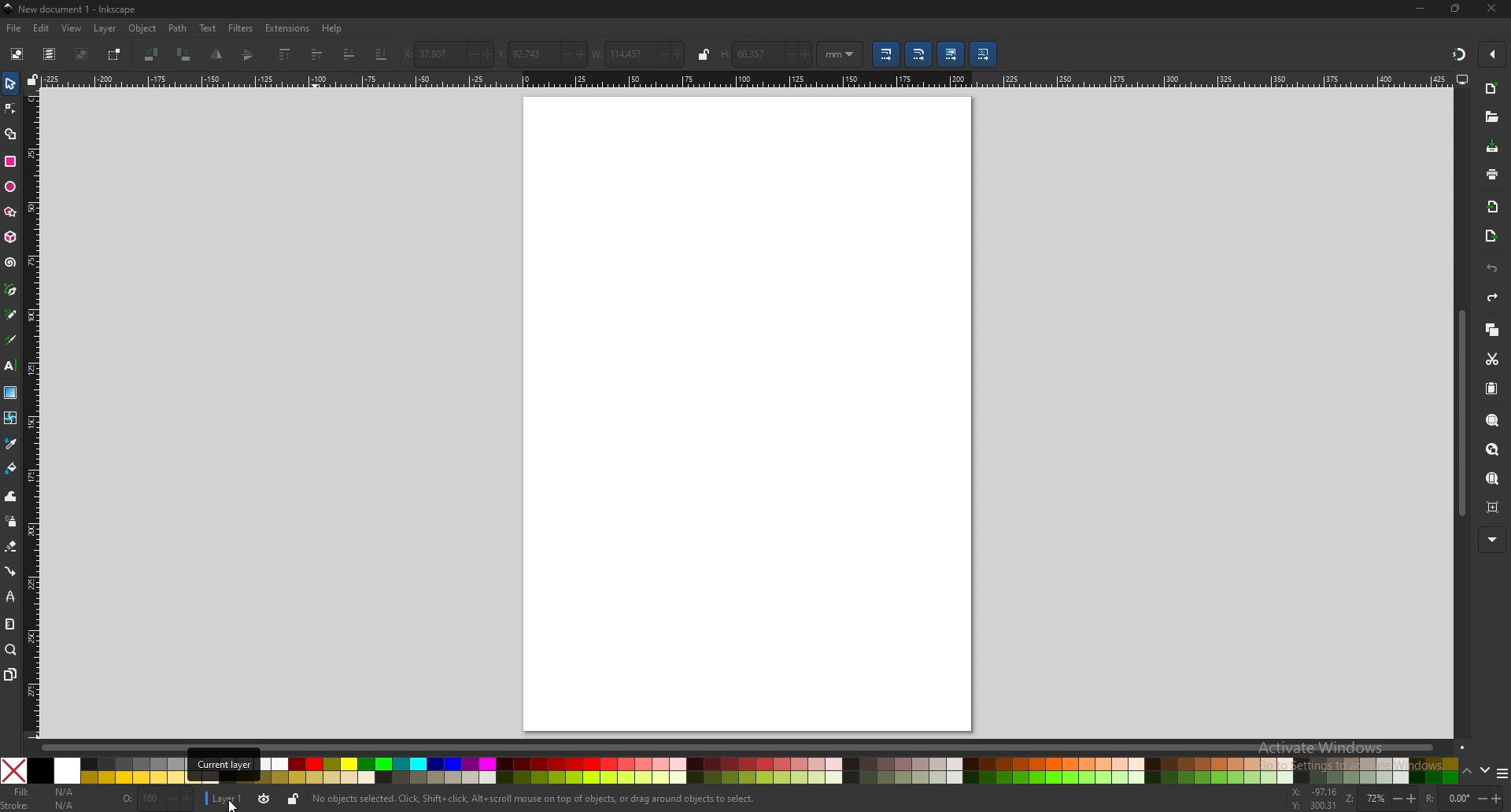  Describe the element at coordinates (287, 28) in the screenshot. I see `extensions` at that location.